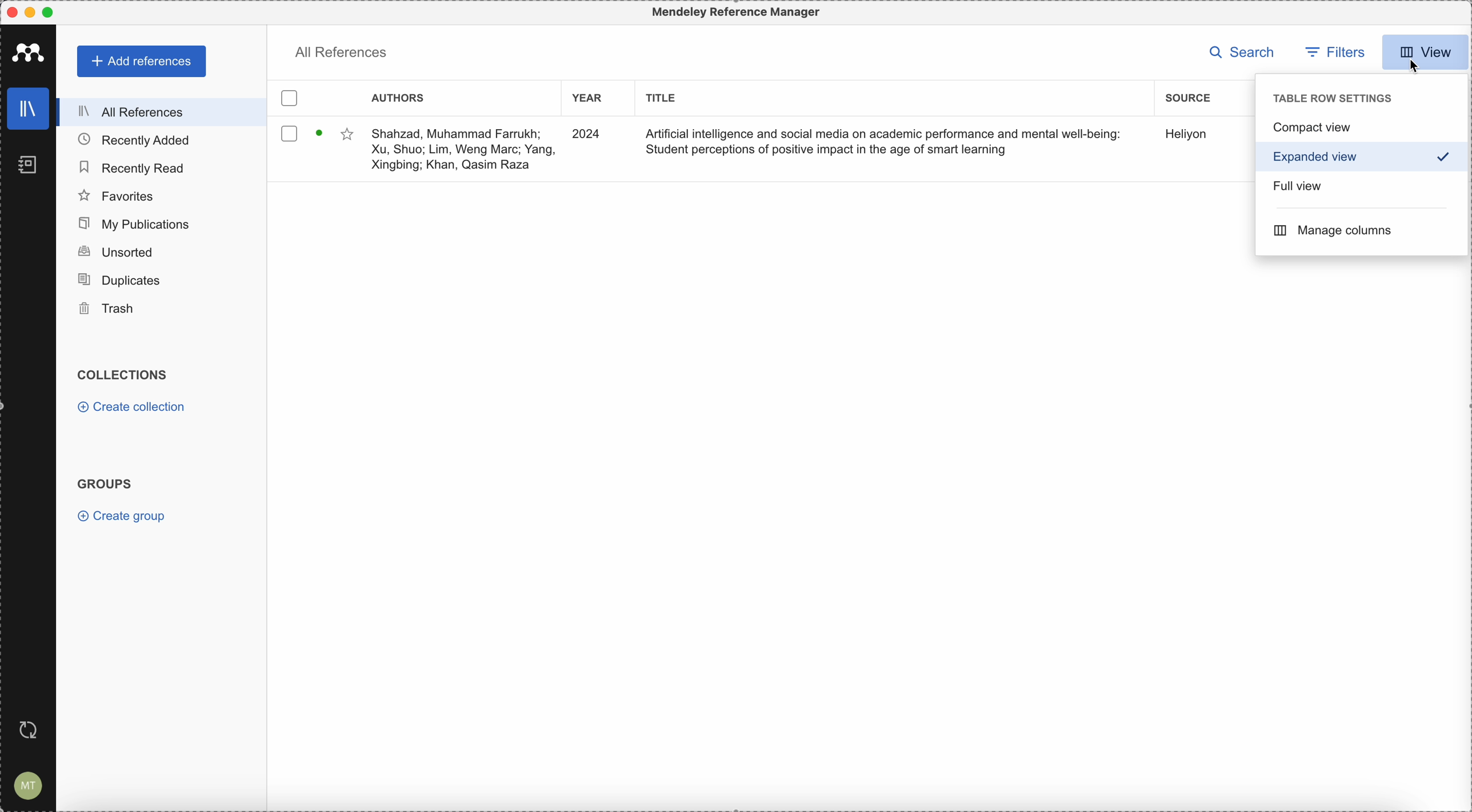 The image size is (1472, 812). I want to click on search, so click(1238, 52).